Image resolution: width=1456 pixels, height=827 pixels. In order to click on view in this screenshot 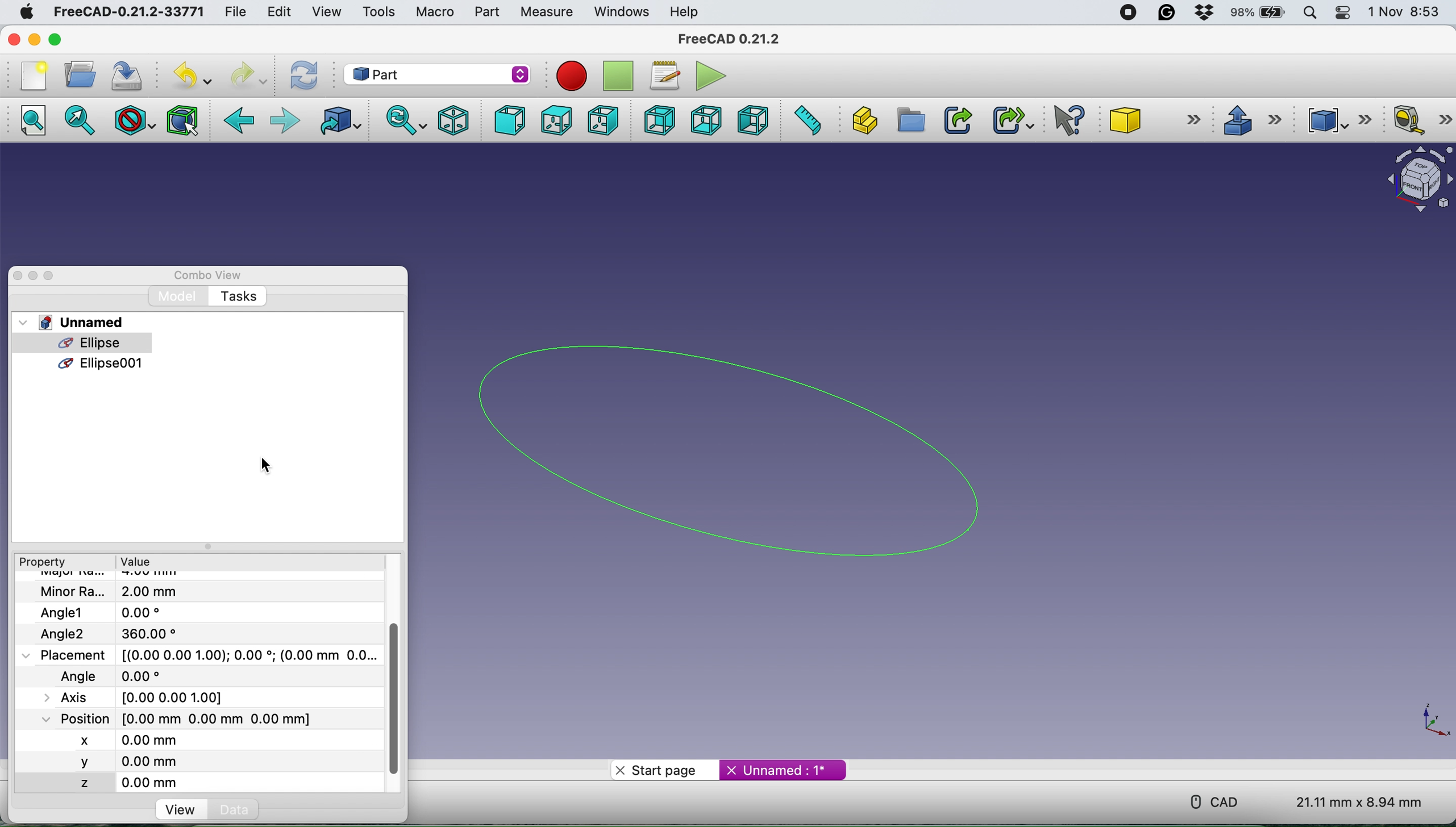, I will do `click(185, 811)`.